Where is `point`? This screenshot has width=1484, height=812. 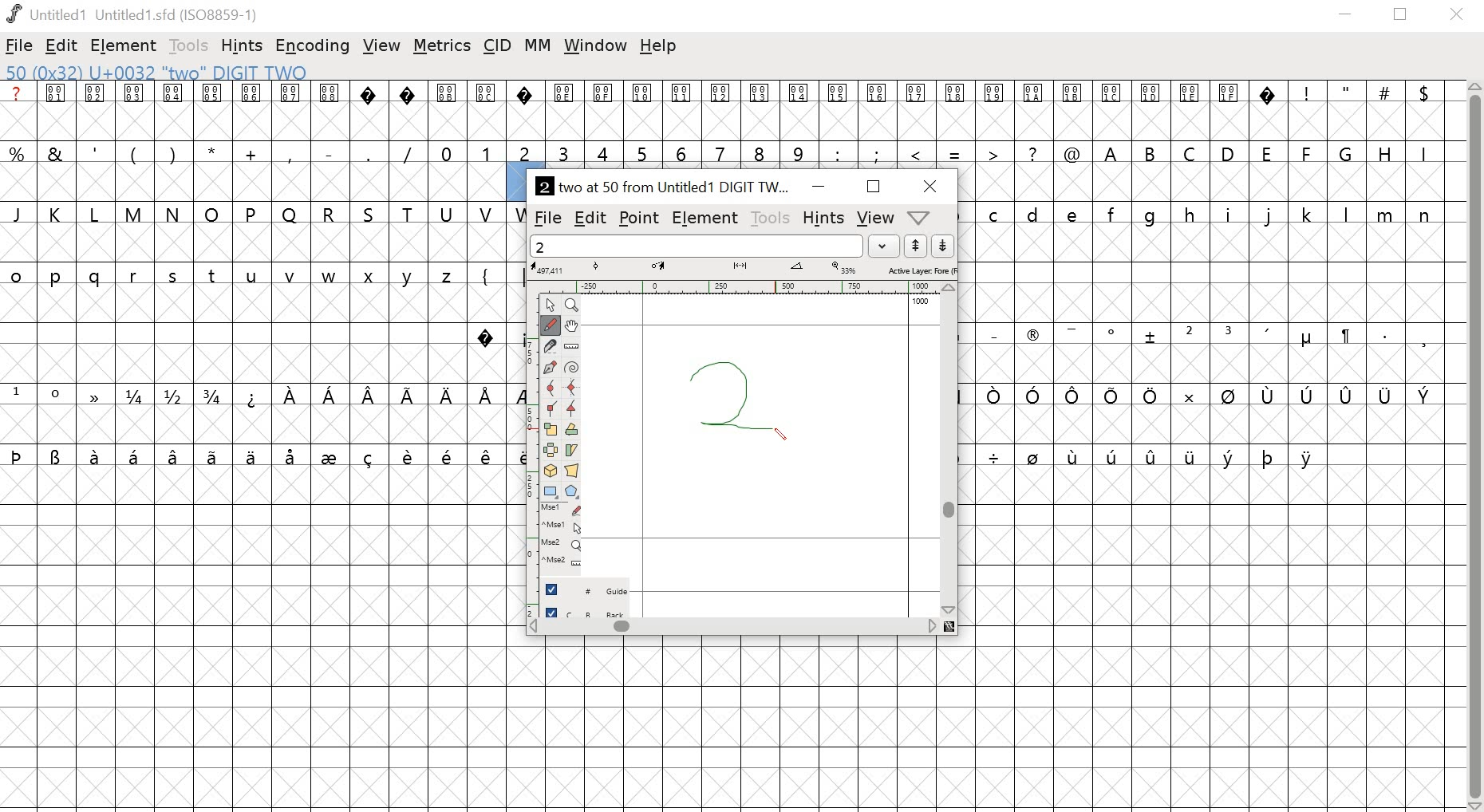 point is located at coordinates (553, 305).